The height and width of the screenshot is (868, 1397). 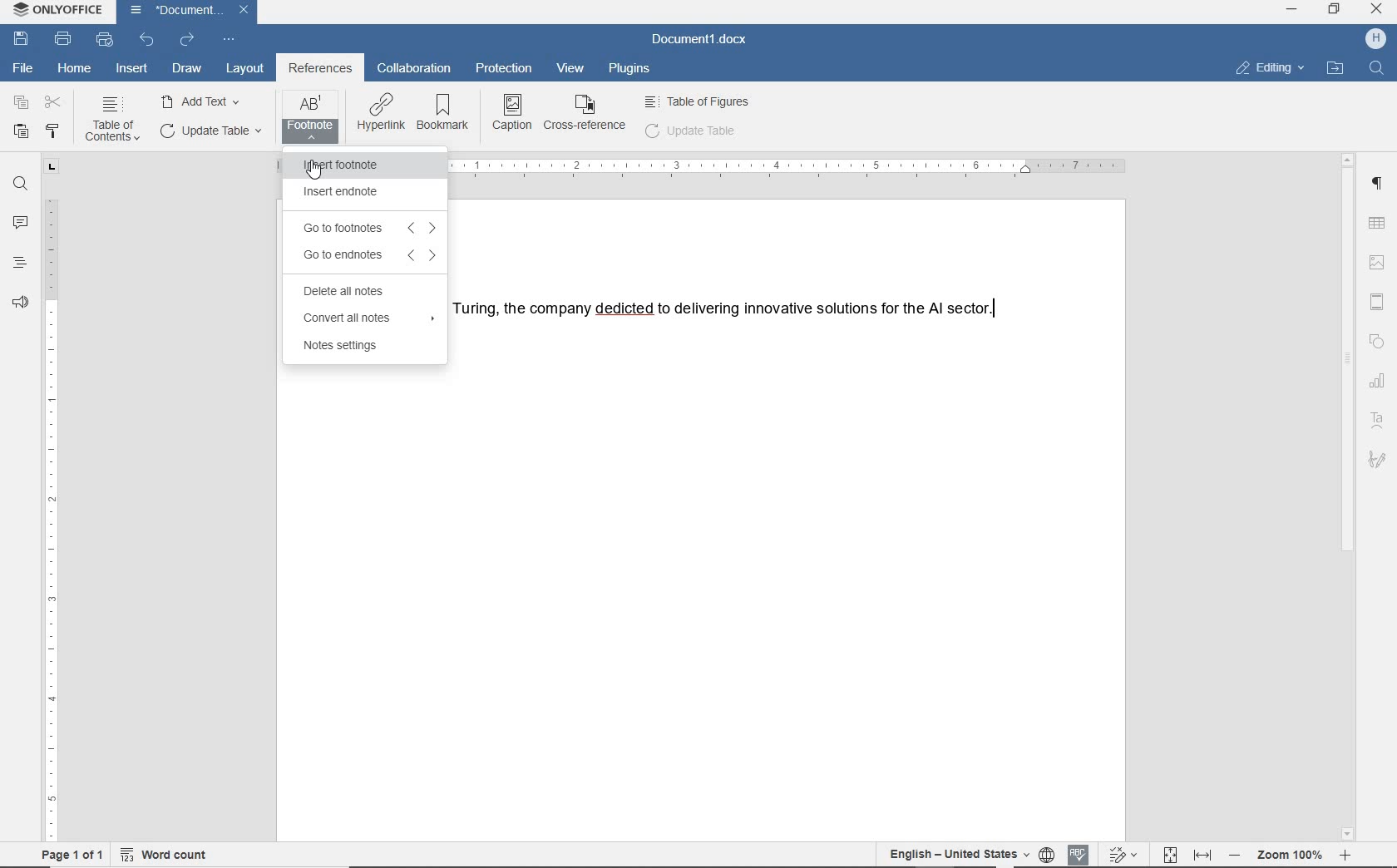 I want to click on go to footnotes, so click(x=365, y=226).